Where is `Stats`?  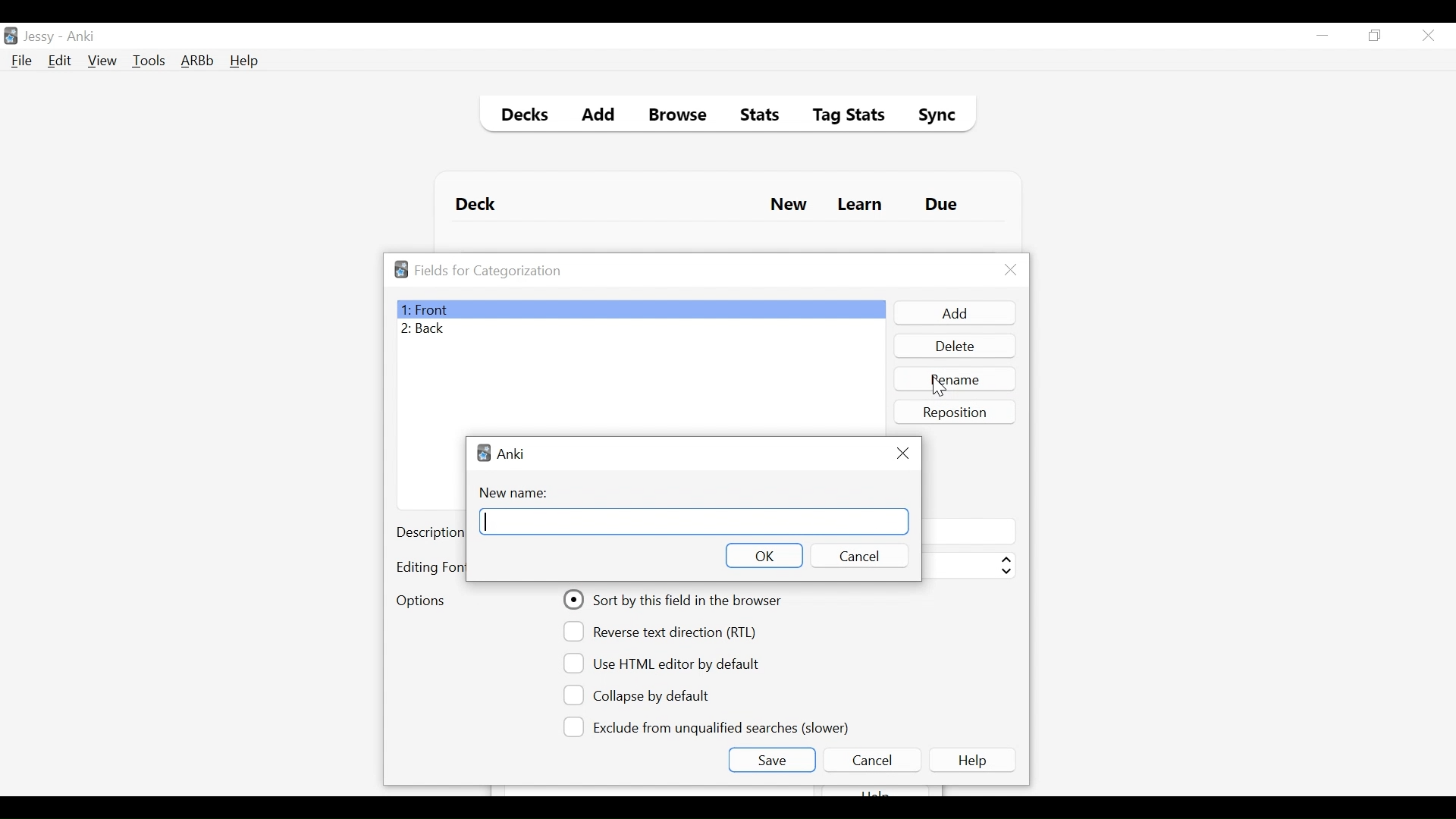
Stats is located at coordinates (755, 115).